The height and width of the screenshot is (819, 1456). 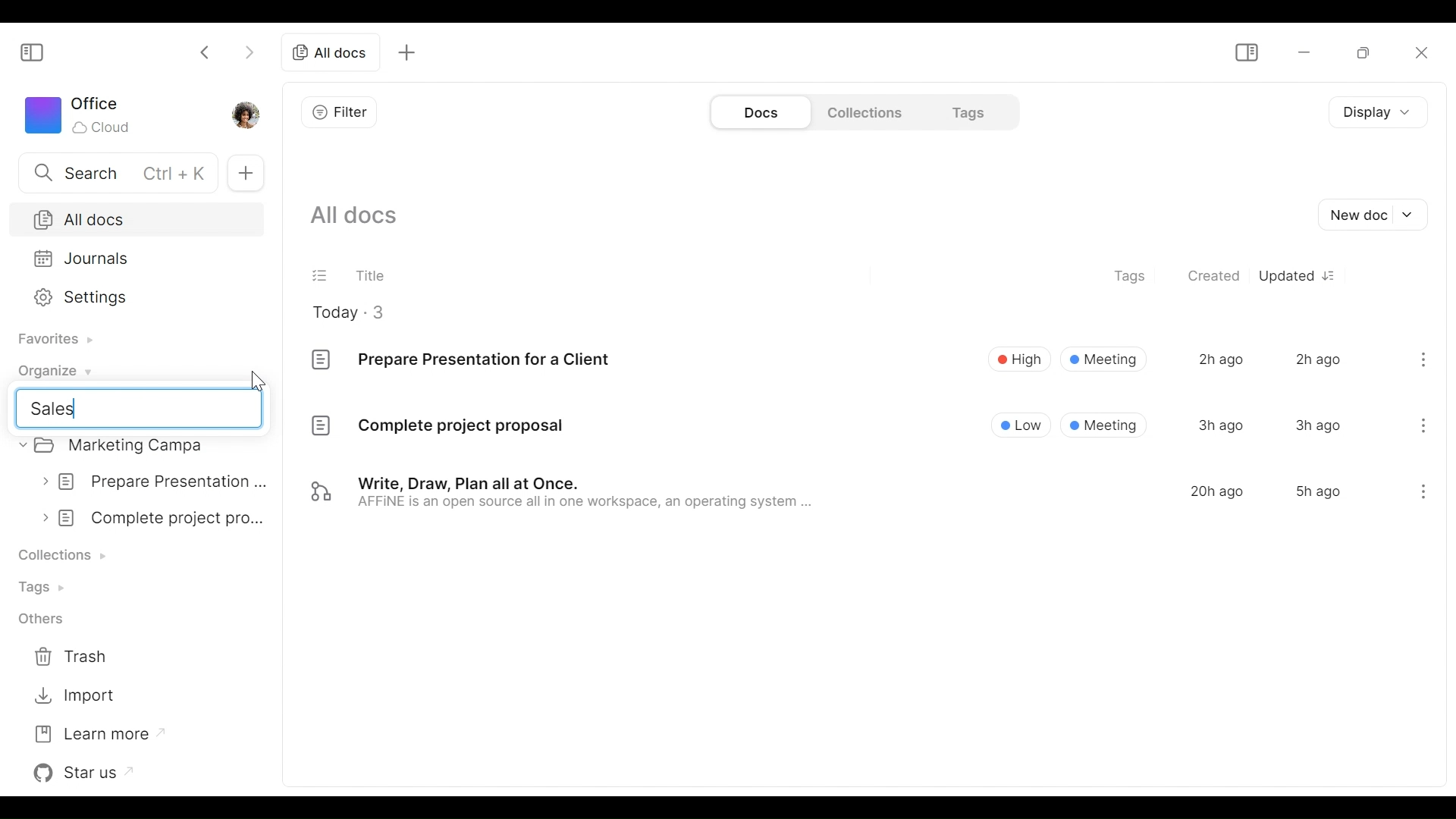 I want to click on add tab, so click(x=412, y=52).